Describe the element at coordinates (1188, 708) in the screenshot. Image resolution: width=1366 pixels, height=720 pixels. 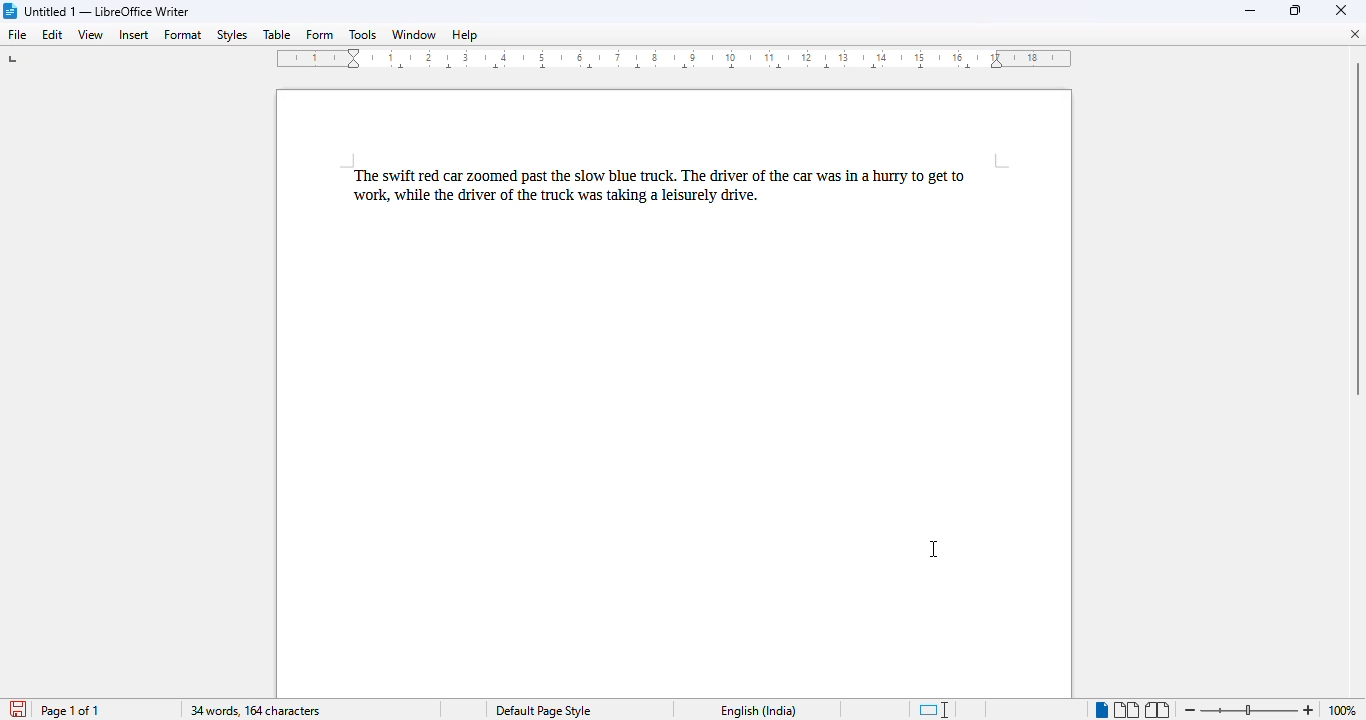
I see `zoom out` at that location.